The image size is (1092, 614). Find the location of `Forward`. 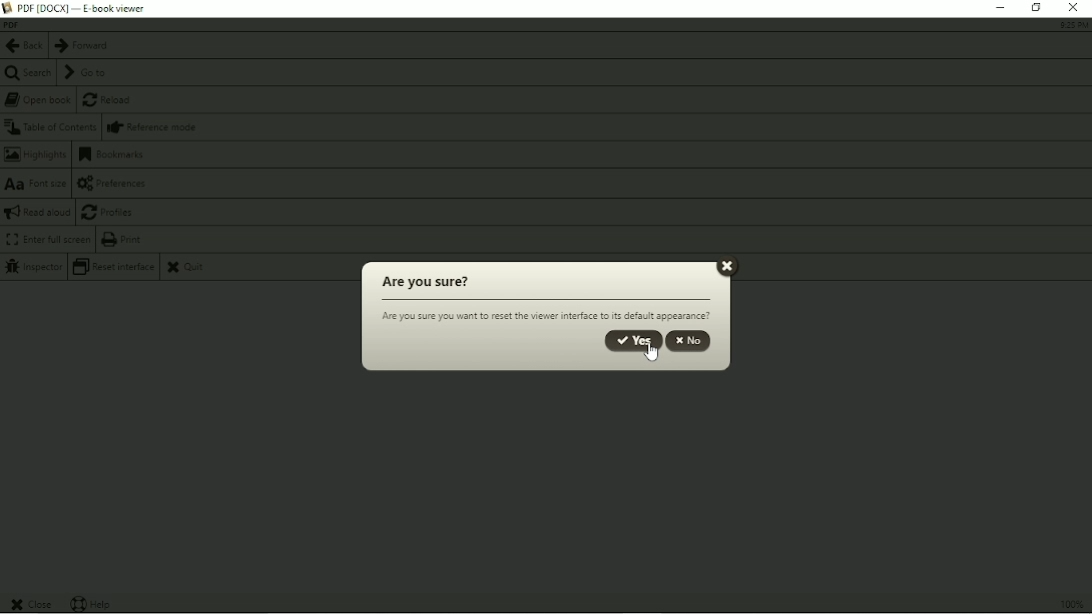

Forward is located at coordinates (81, 46).